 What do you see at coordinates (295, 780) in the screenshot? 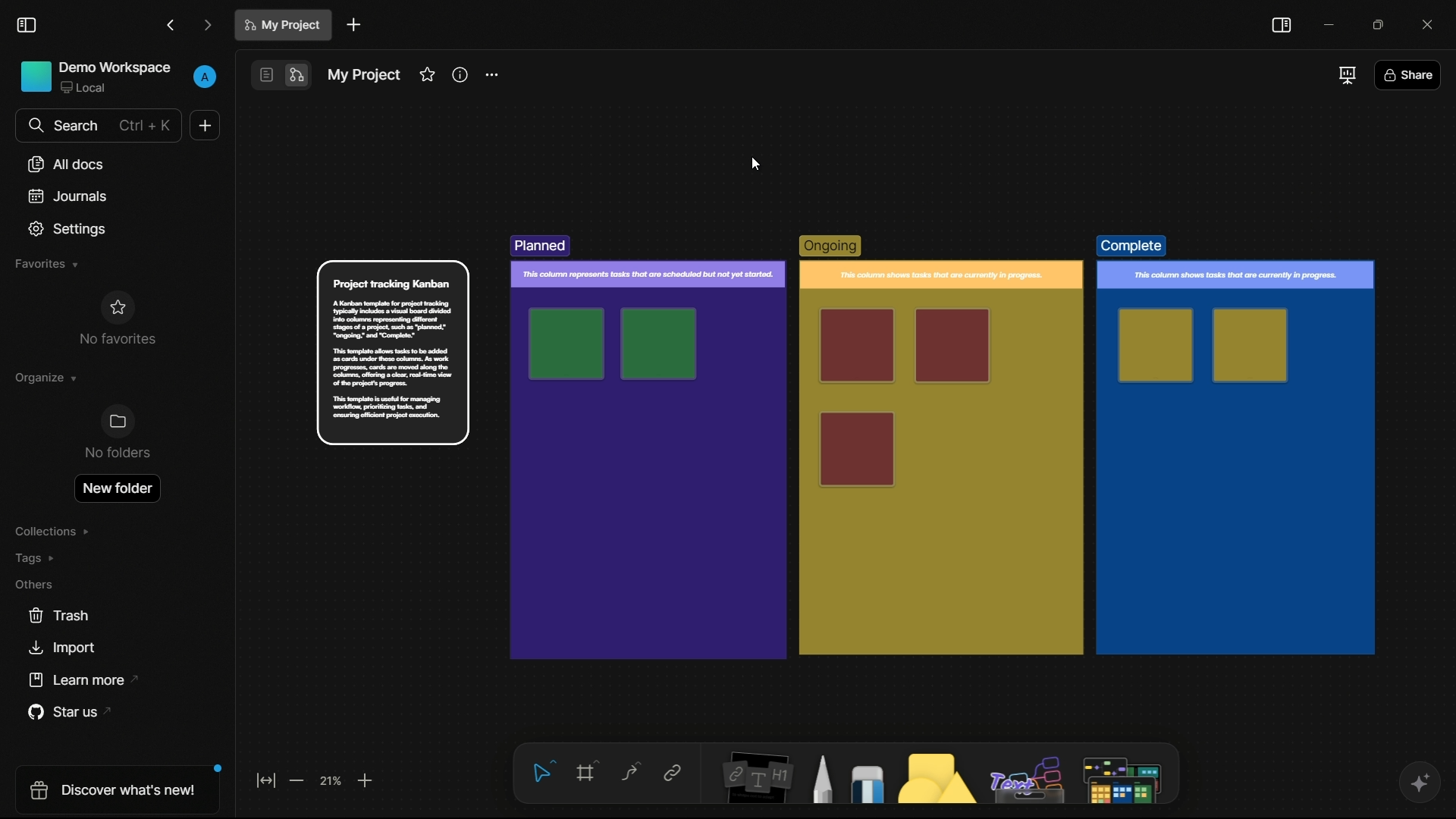
I see `zoom out` at bounding box center [295, 780].